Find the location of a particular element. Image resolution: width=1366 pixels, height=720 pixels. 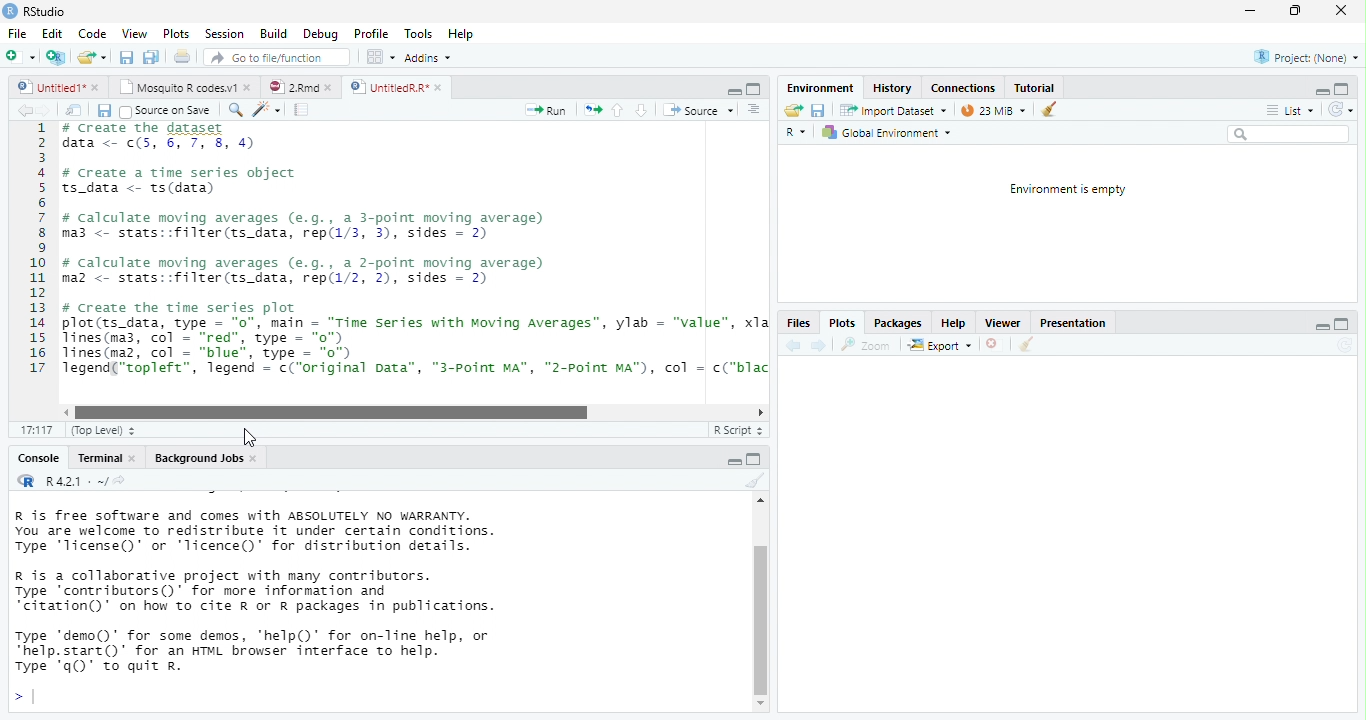

wrokspace pan is located at coordinates (379, 57).